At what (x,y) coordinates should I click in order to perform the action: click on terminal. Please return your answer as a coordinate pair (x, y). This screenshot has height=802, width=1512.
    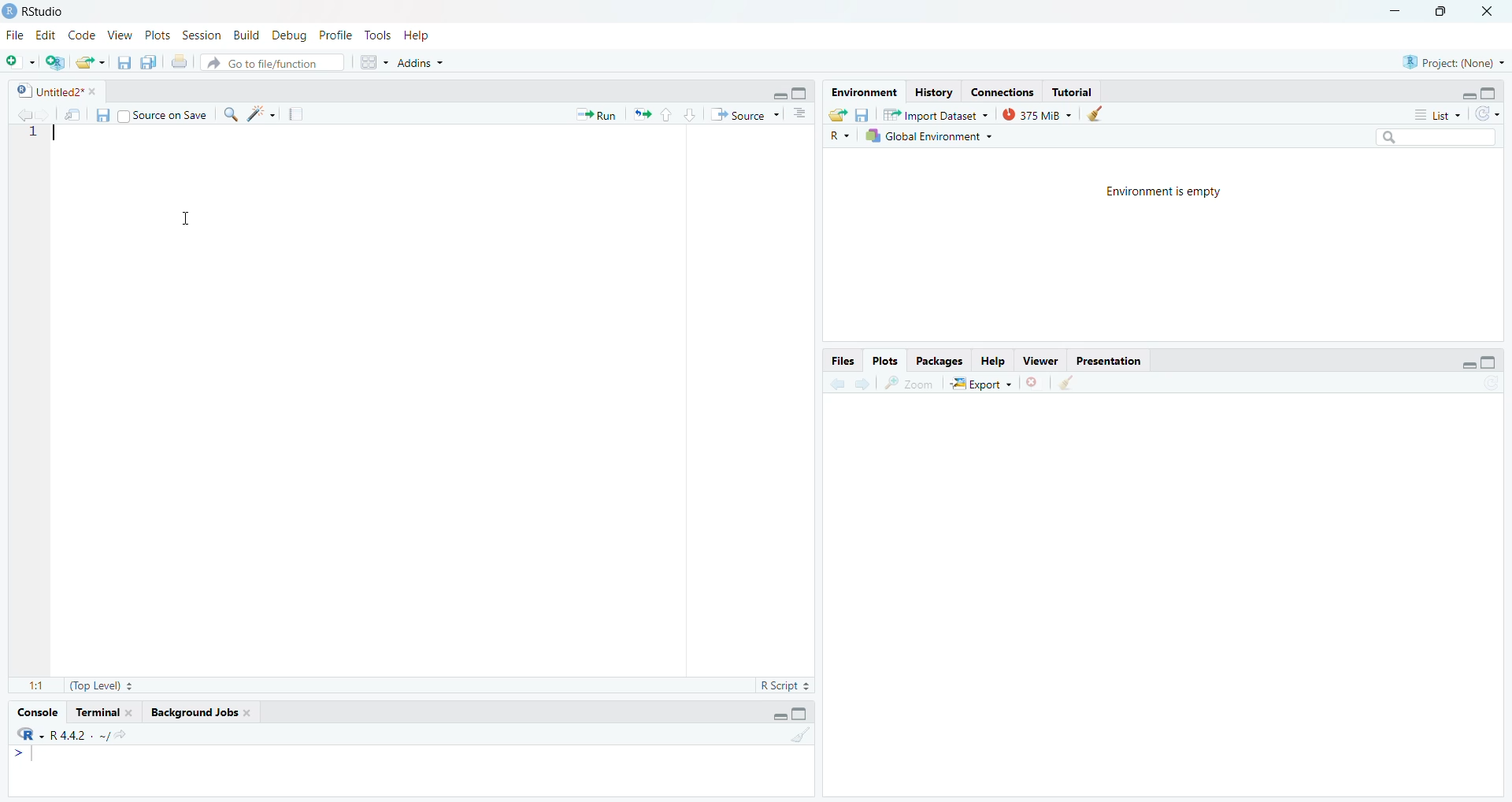
    Looking at the image, I should click on (106, 711).